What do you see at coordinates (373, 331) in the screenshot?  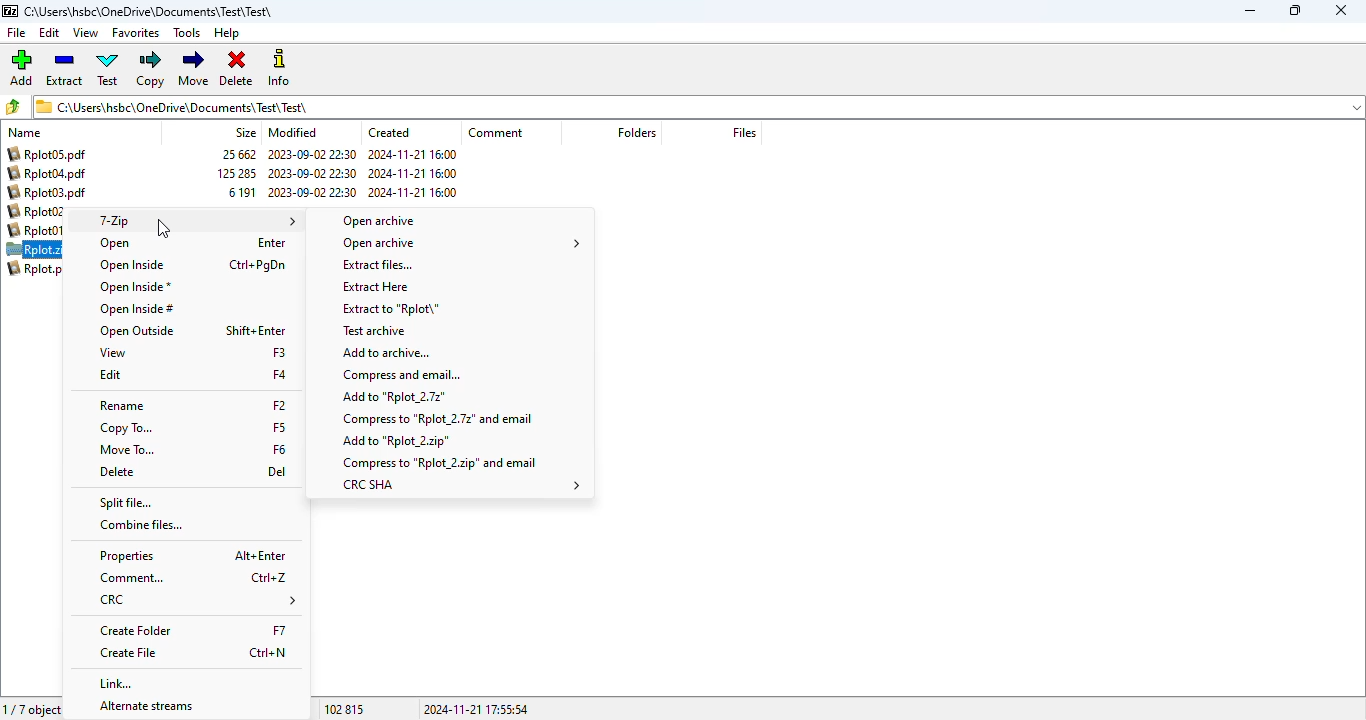 I see `test archive` at bounding box center [373, 331].